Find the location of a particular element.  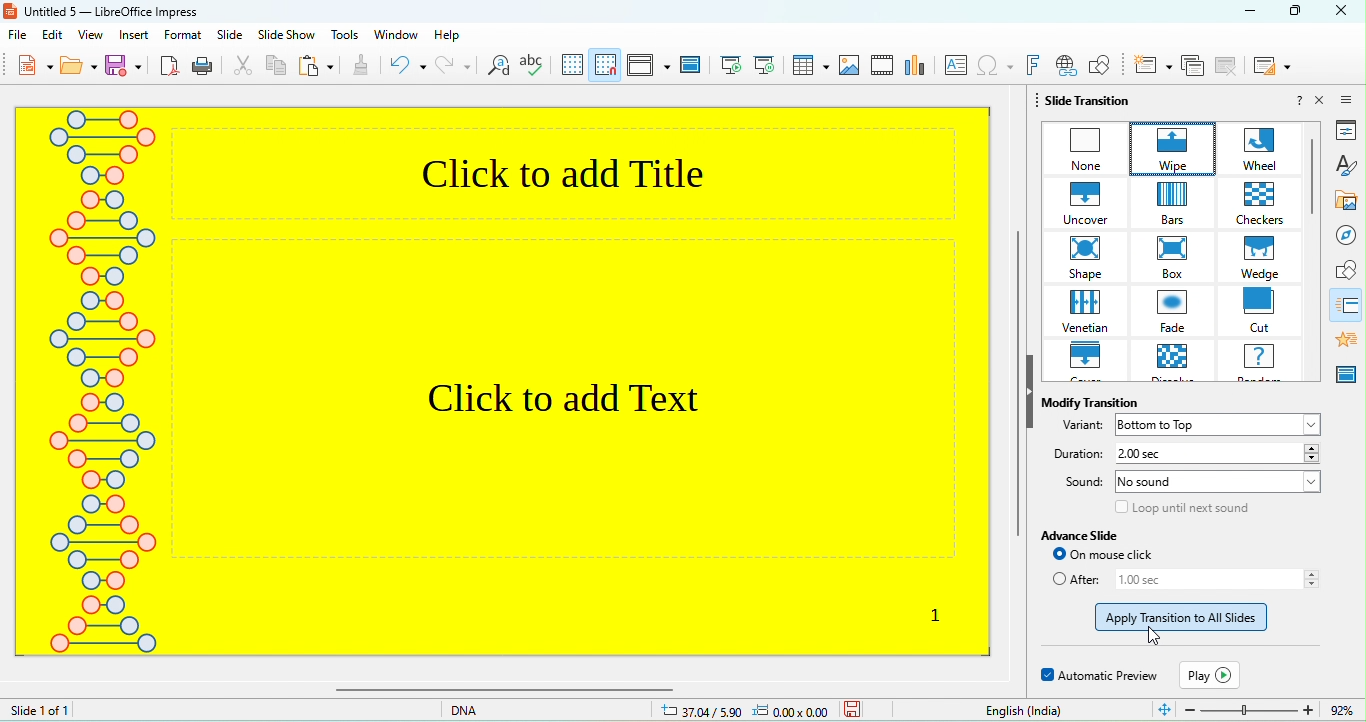

insert is located at coordinates (137, 37).